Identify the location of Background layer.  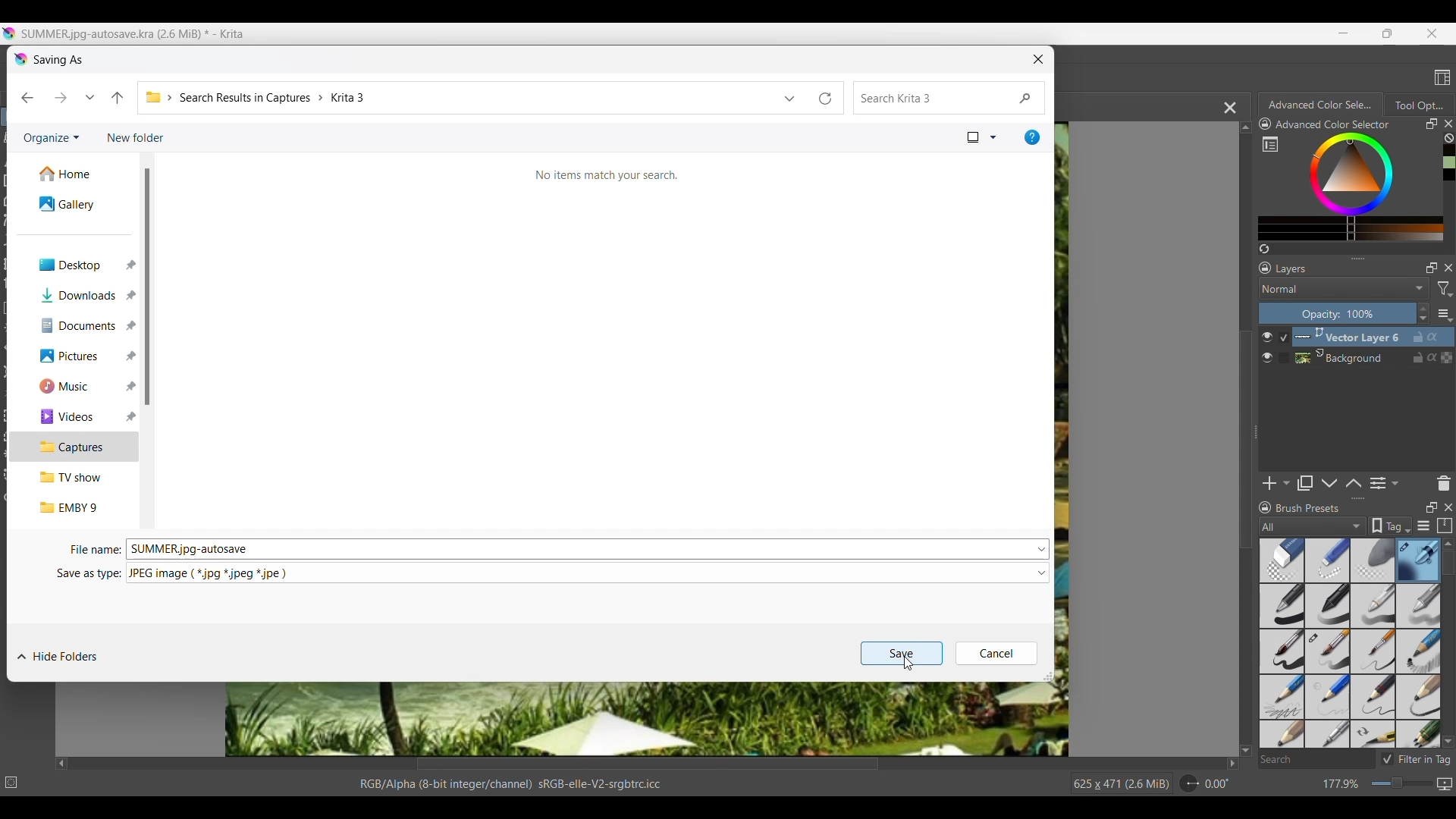
(1373, 357).